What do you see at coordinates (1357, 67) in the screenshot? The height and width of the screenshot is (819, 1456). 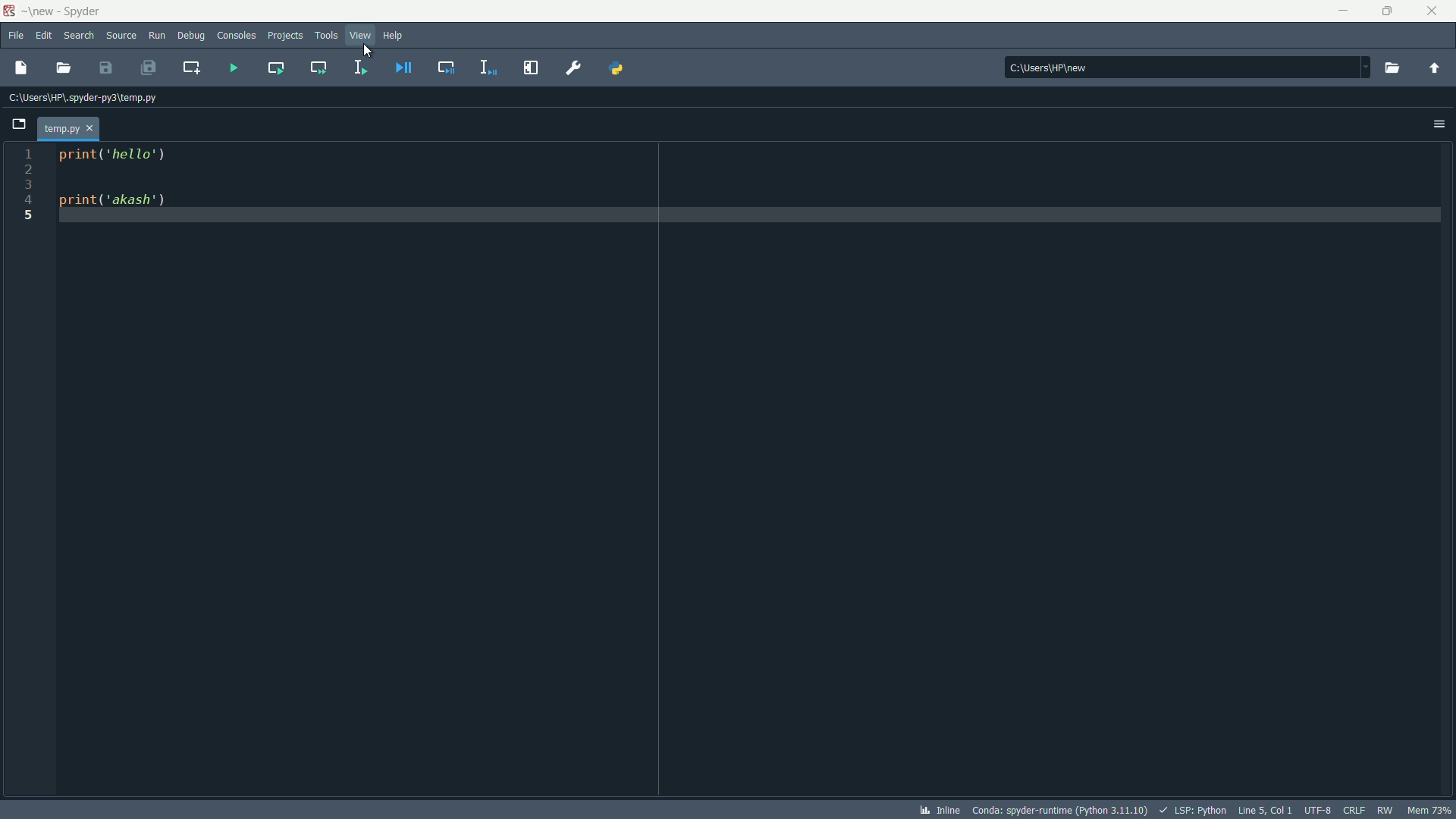 I see `drop down` at bounding box center [1357, 67].